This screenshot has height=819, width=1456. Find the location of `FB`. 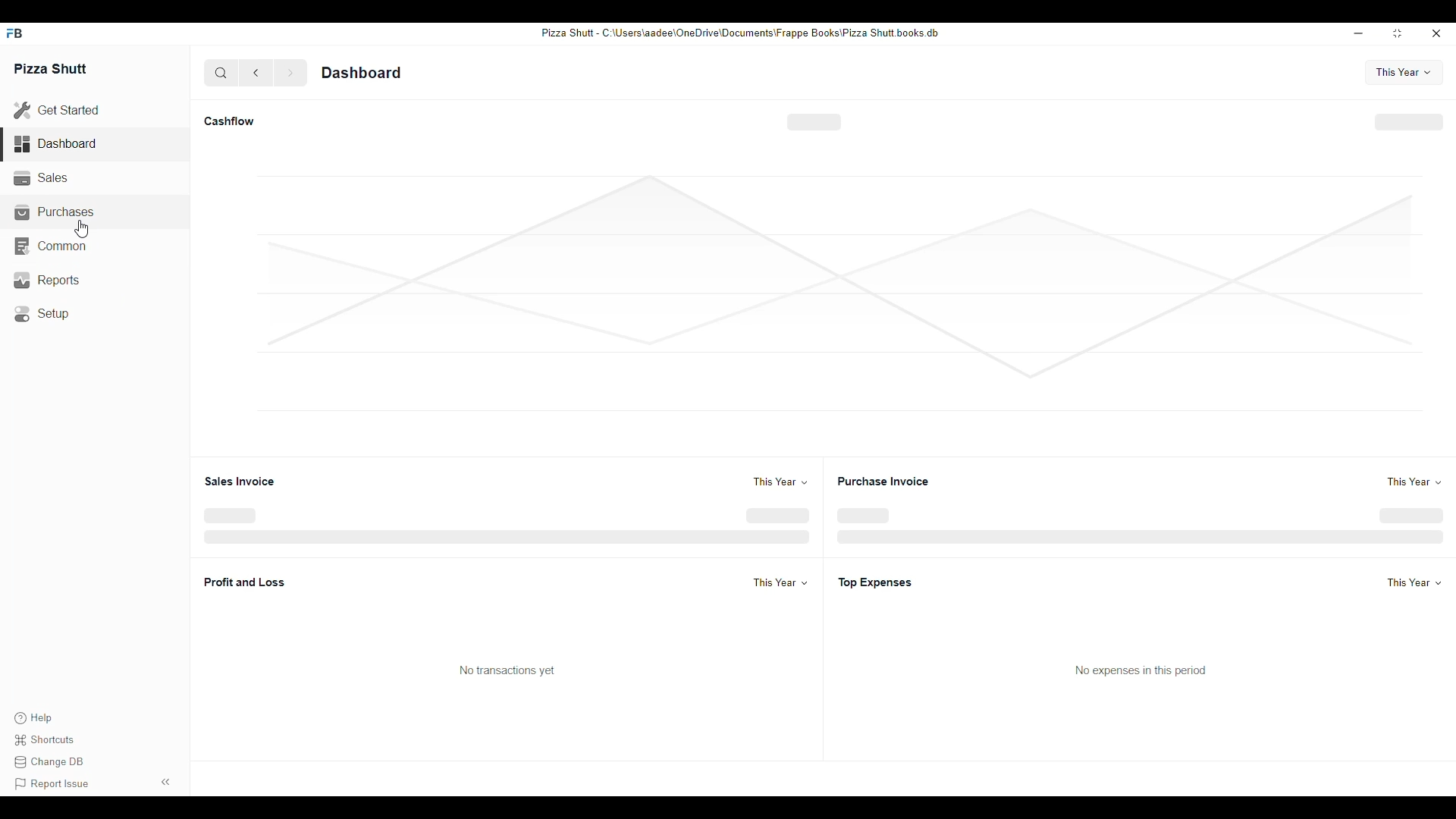

FB is located at coordinates (17, 33).